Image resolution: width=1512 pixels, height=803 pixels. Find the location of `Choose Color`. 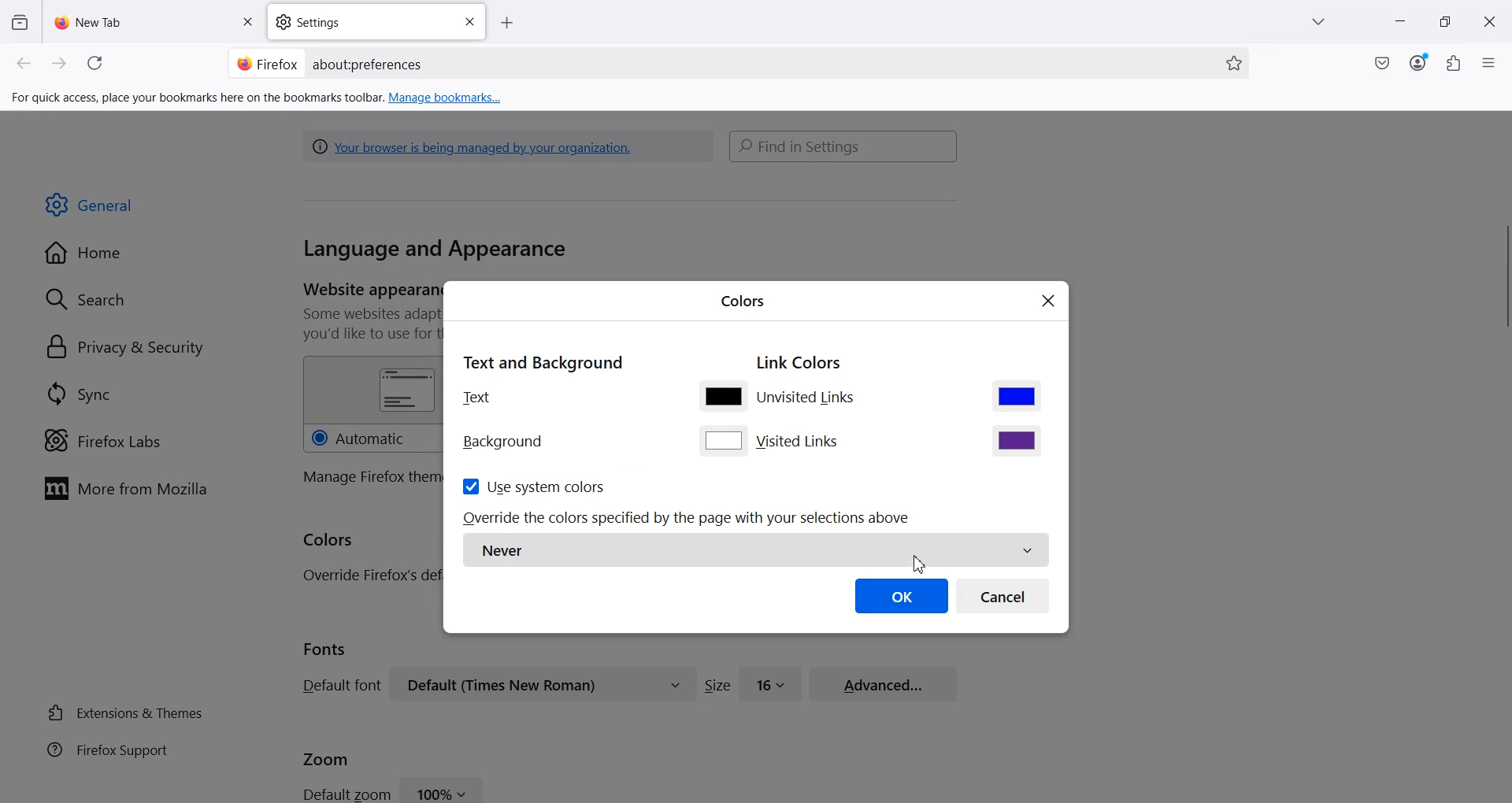

Choose Color is located at coordinates (1017, 395).